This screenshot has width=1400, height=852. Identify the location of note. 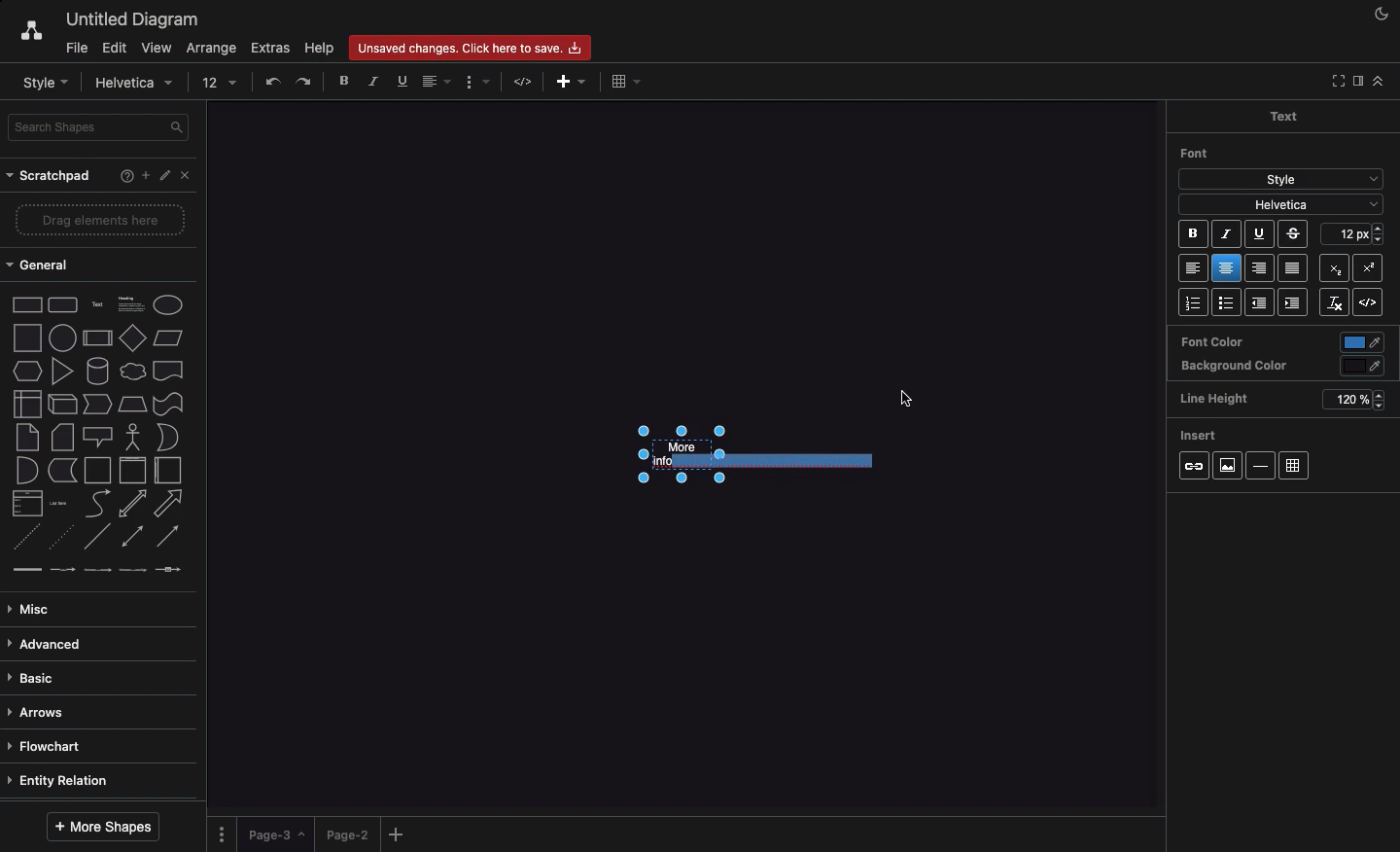
(27, 438).